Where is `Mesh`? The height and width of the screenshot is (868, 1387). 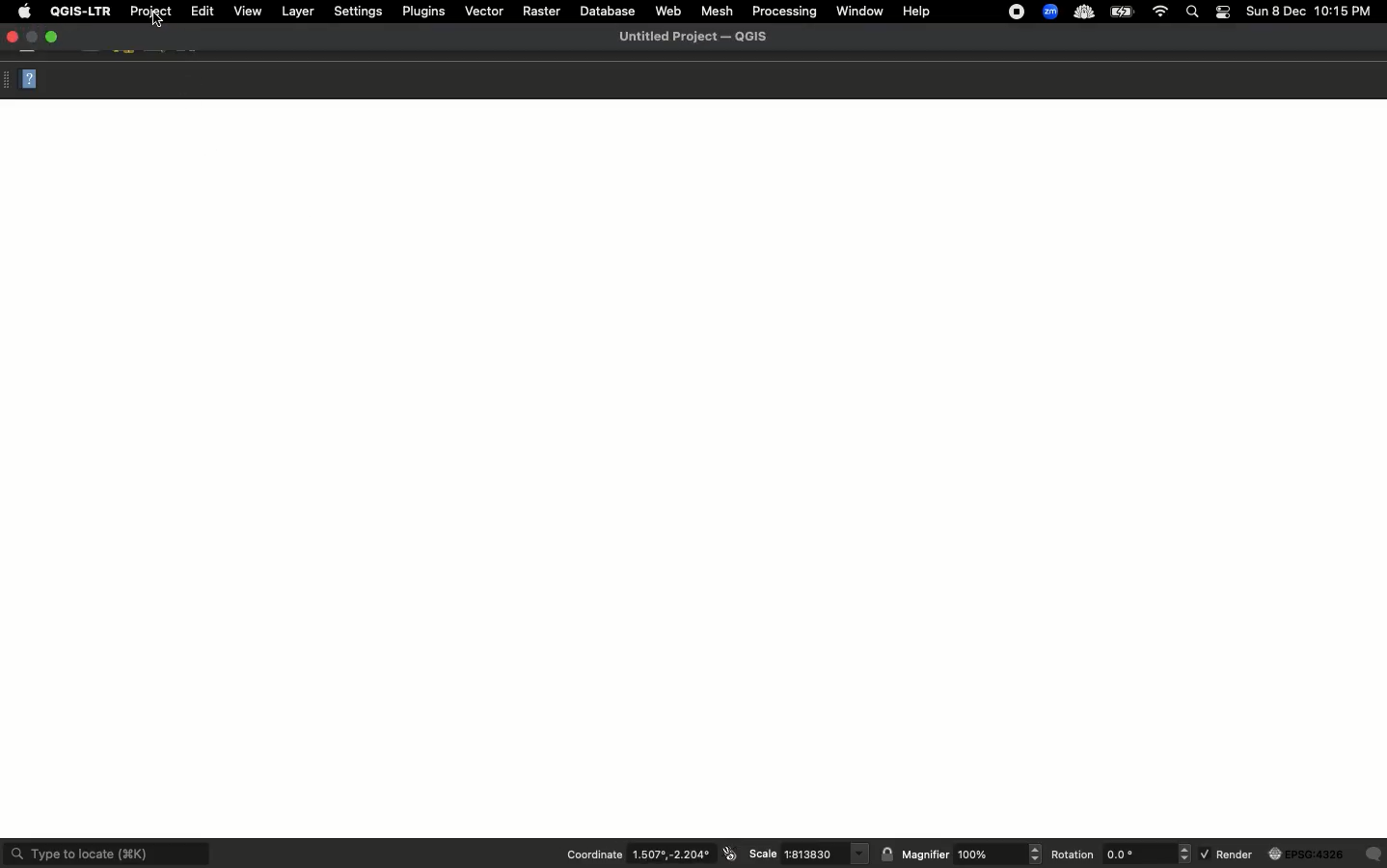
Mesh is located at coordinates (718, 12).